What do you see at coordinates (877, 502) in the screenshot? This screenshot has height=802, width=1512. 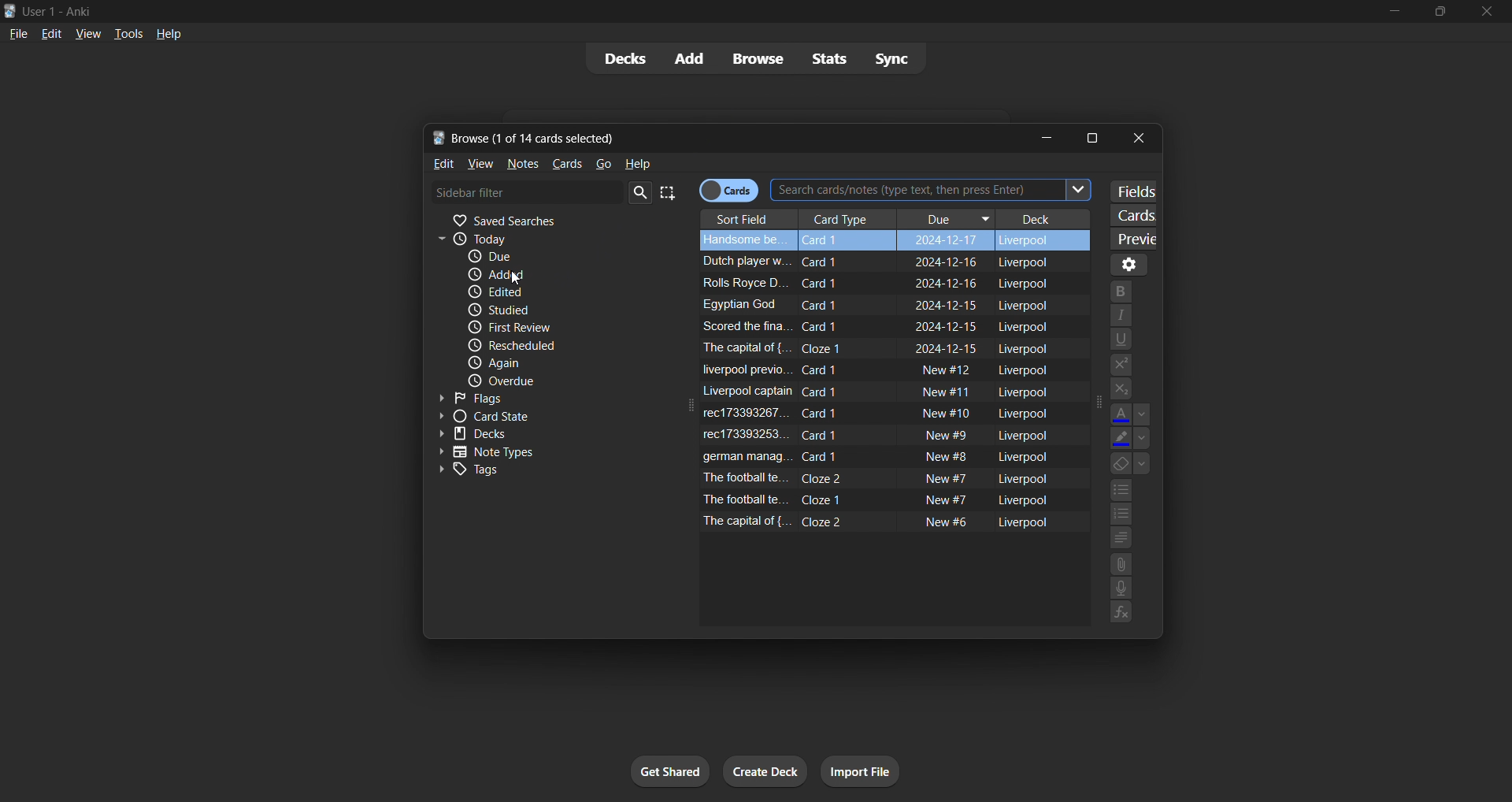 I see `The football te. Cloze 1 New #7 Liverpool` at bounding box center [877, 502].